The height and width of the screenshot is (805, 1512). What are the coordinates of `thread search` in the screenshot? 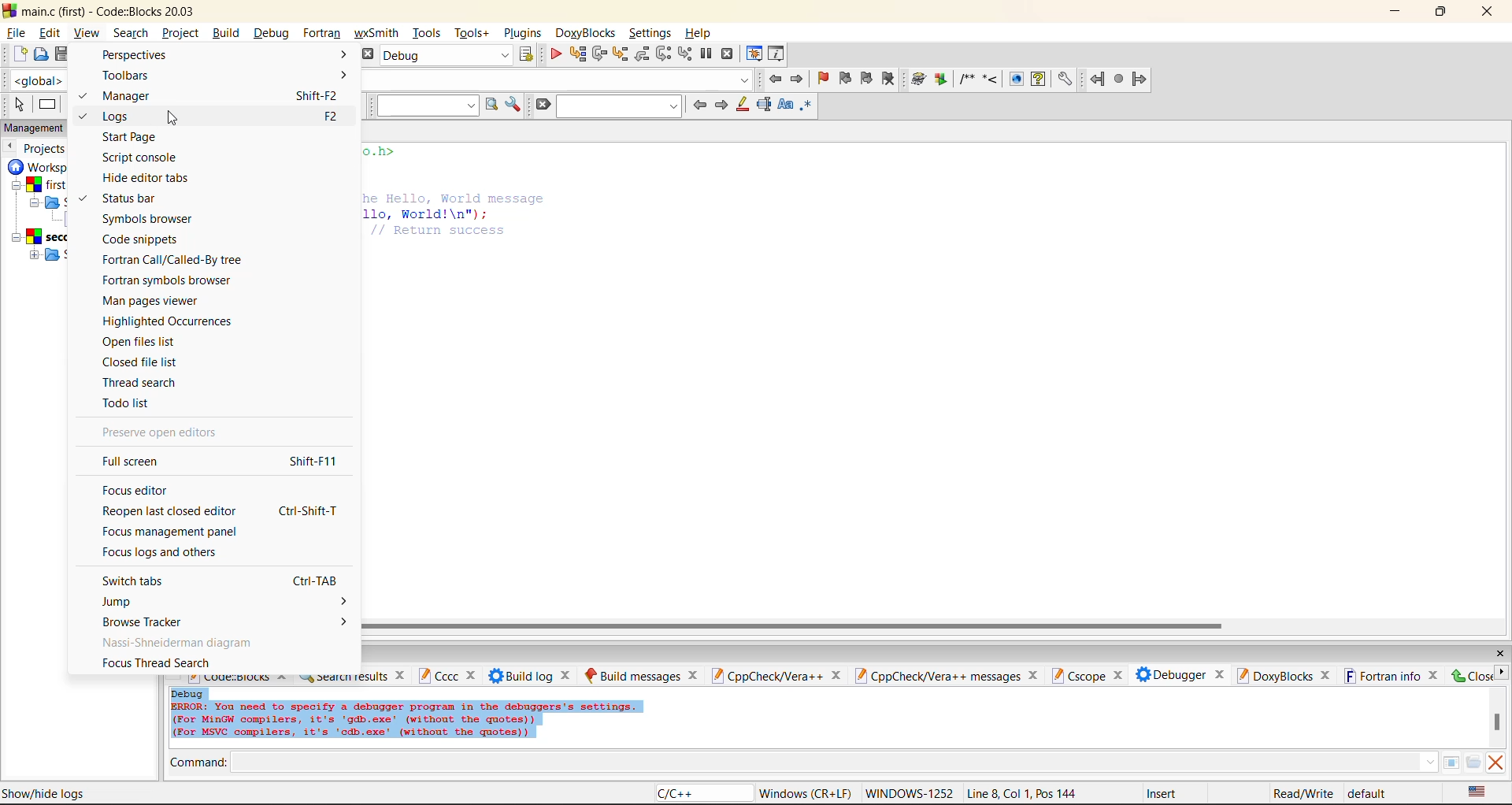 It's located at (139, 382).